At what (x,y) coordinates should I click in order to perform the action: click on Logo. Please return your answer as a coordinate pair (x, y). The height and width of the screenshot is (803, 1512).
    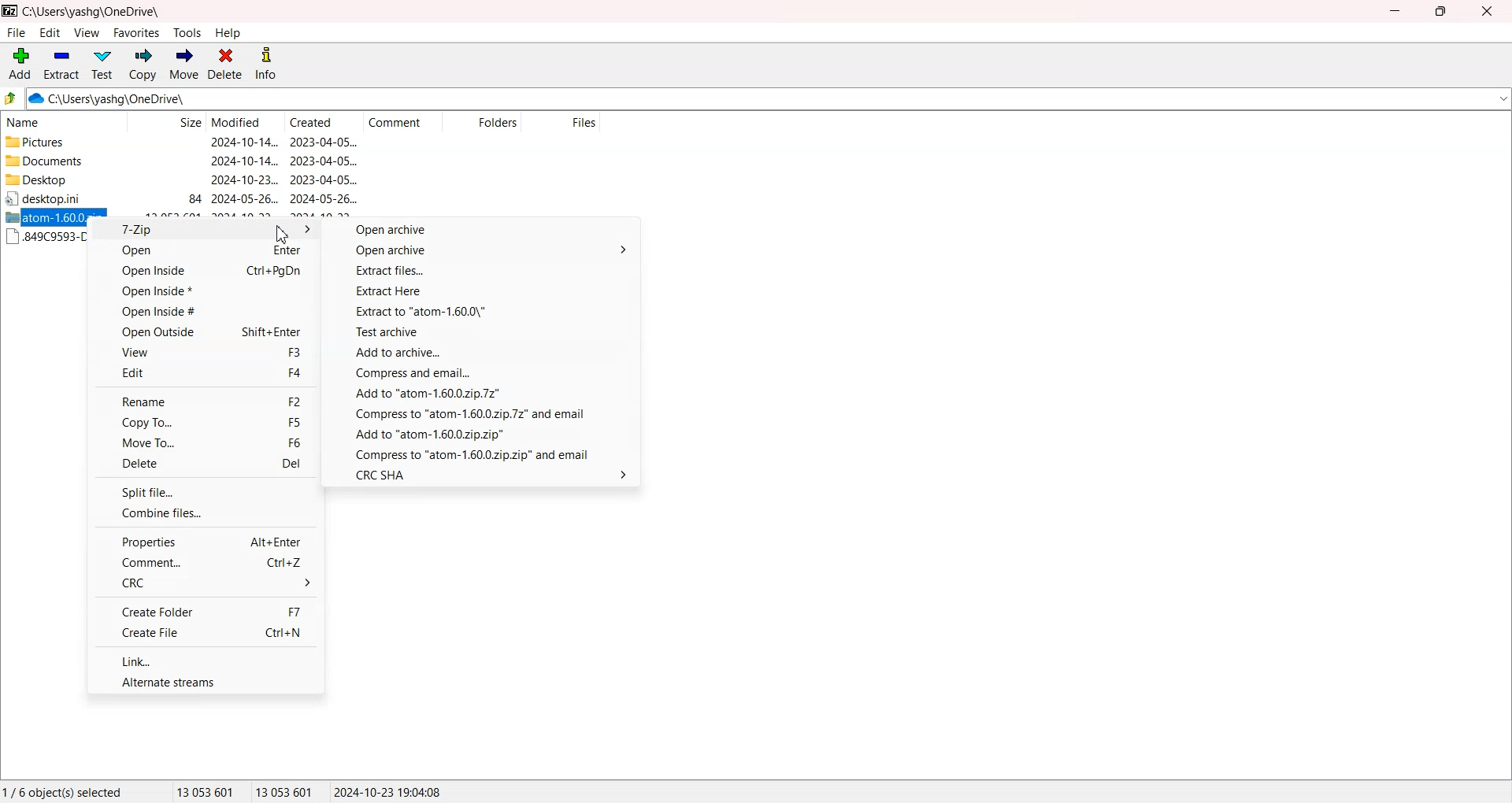
    Looking at the image, I should click on (10, 10).